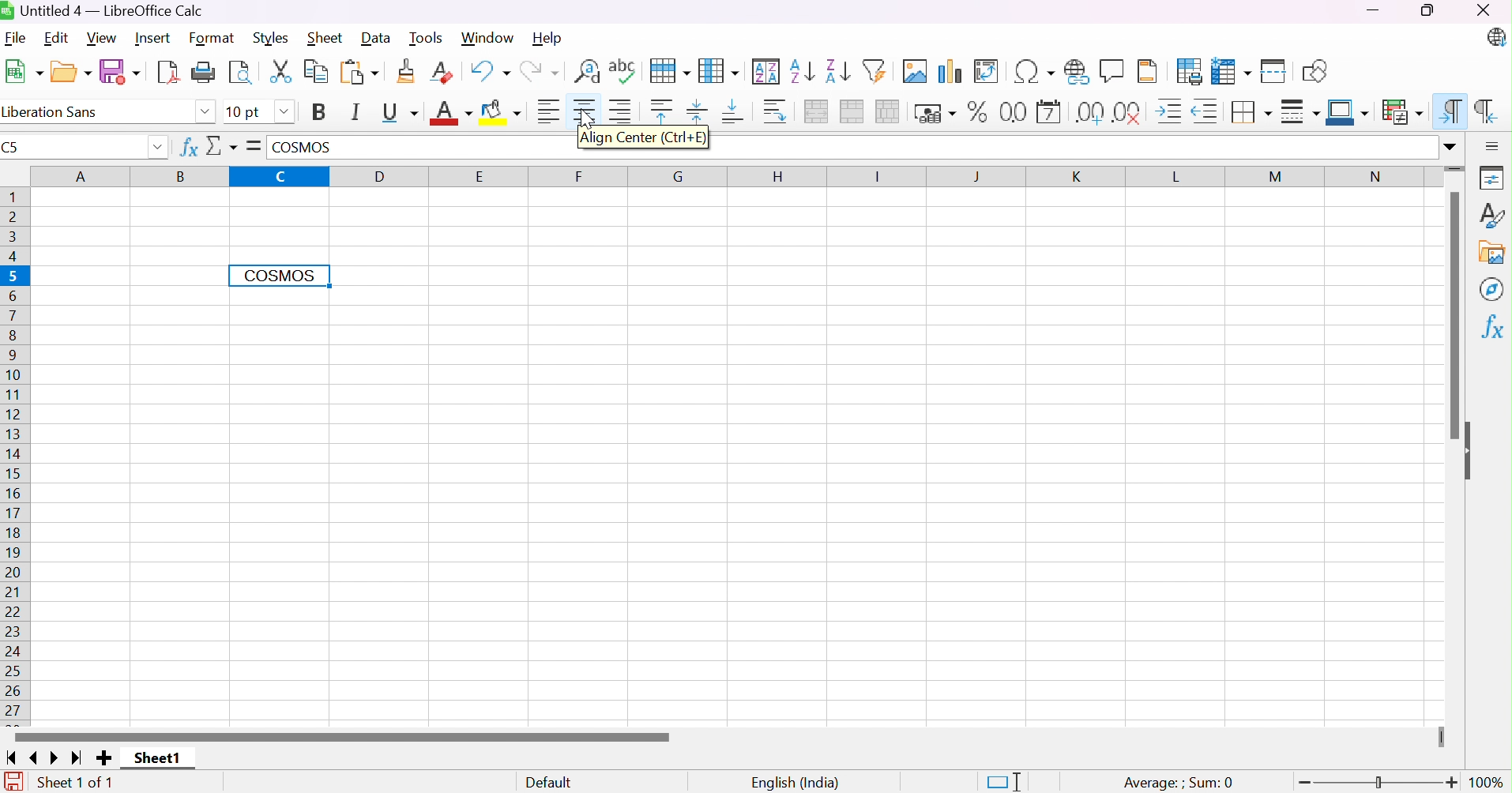 The image size is (1512, 793). What do you see at coordinates (1381, 10) in the screenshot?
I see `Minimize` at bounding box center [1381, 10].